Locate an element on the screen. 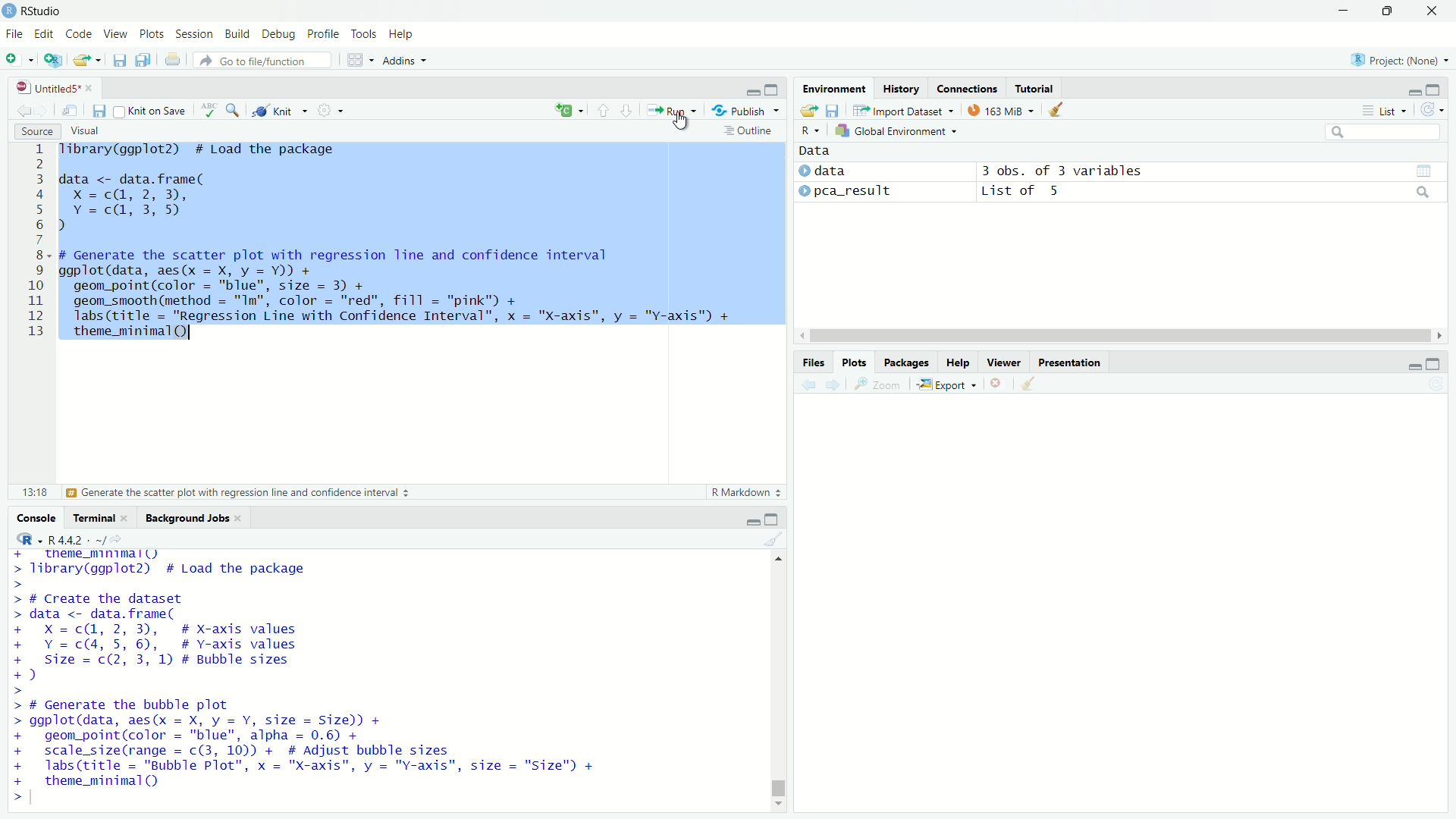 Image resolution: width=1456 pixels, height=819 pixels. expand is located at coordinates (1433, 89).